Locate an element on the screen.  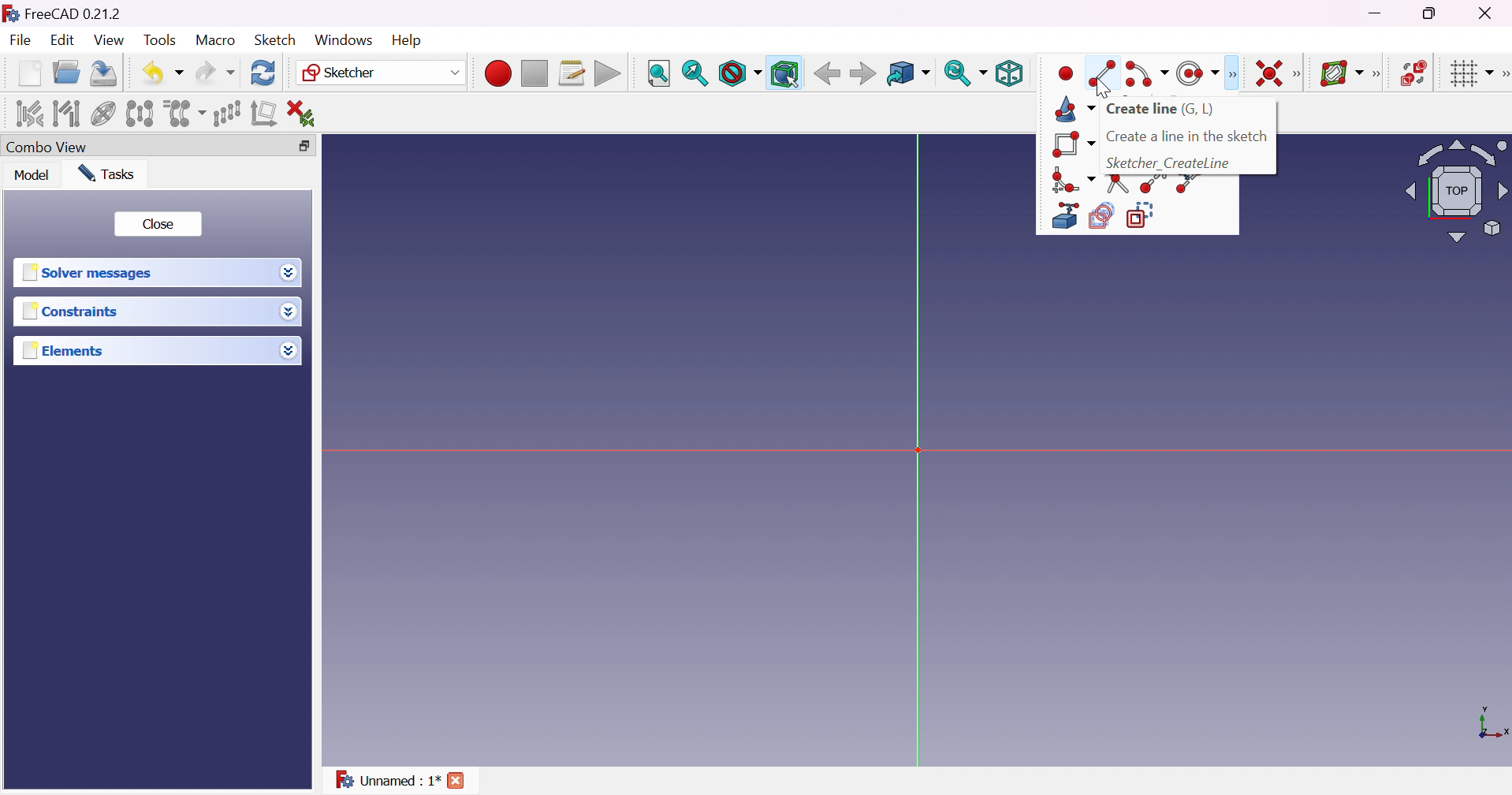
Clone is located at coordinates (184, 112).